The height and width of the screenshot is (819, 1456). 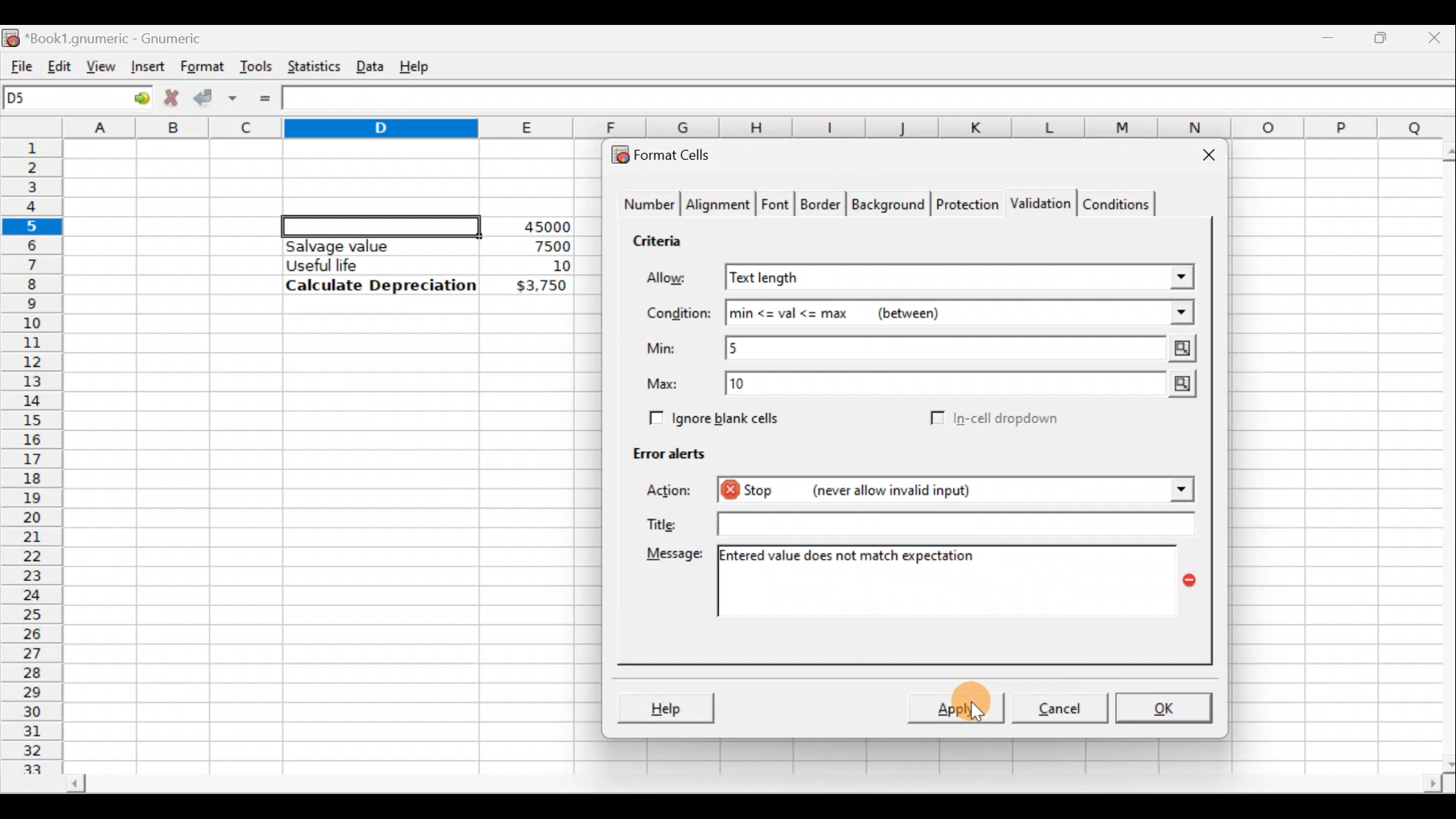 I want to click on Ignore blank cells, so click(x=711, y=416).